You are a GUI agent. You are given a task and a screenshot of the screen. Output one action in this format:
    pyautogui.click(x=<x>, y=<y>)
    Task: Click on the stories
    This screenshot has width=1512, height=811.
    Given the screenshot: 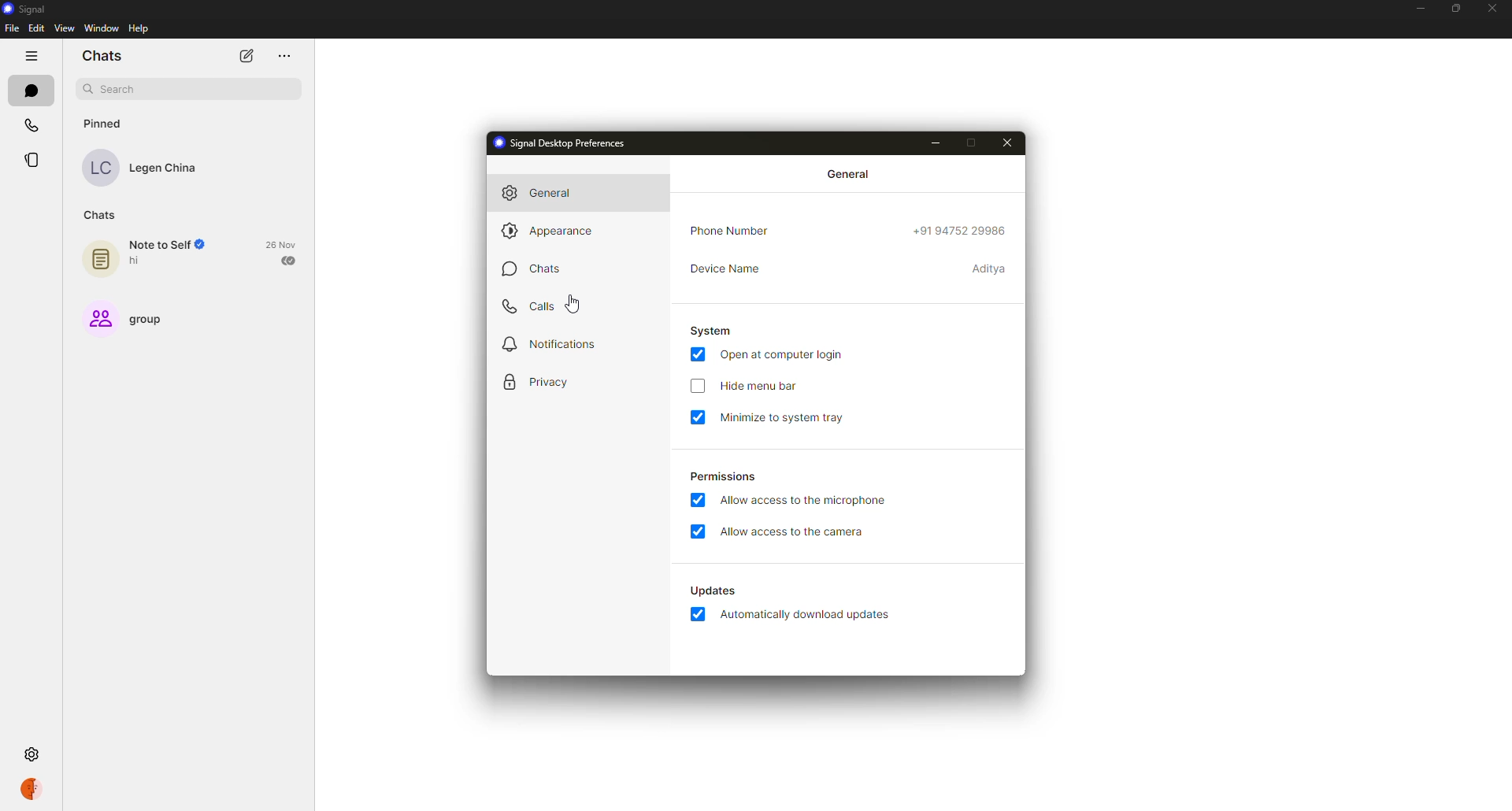 What is the action you would take?
    pyautogui.click(x=36, y=160)
    